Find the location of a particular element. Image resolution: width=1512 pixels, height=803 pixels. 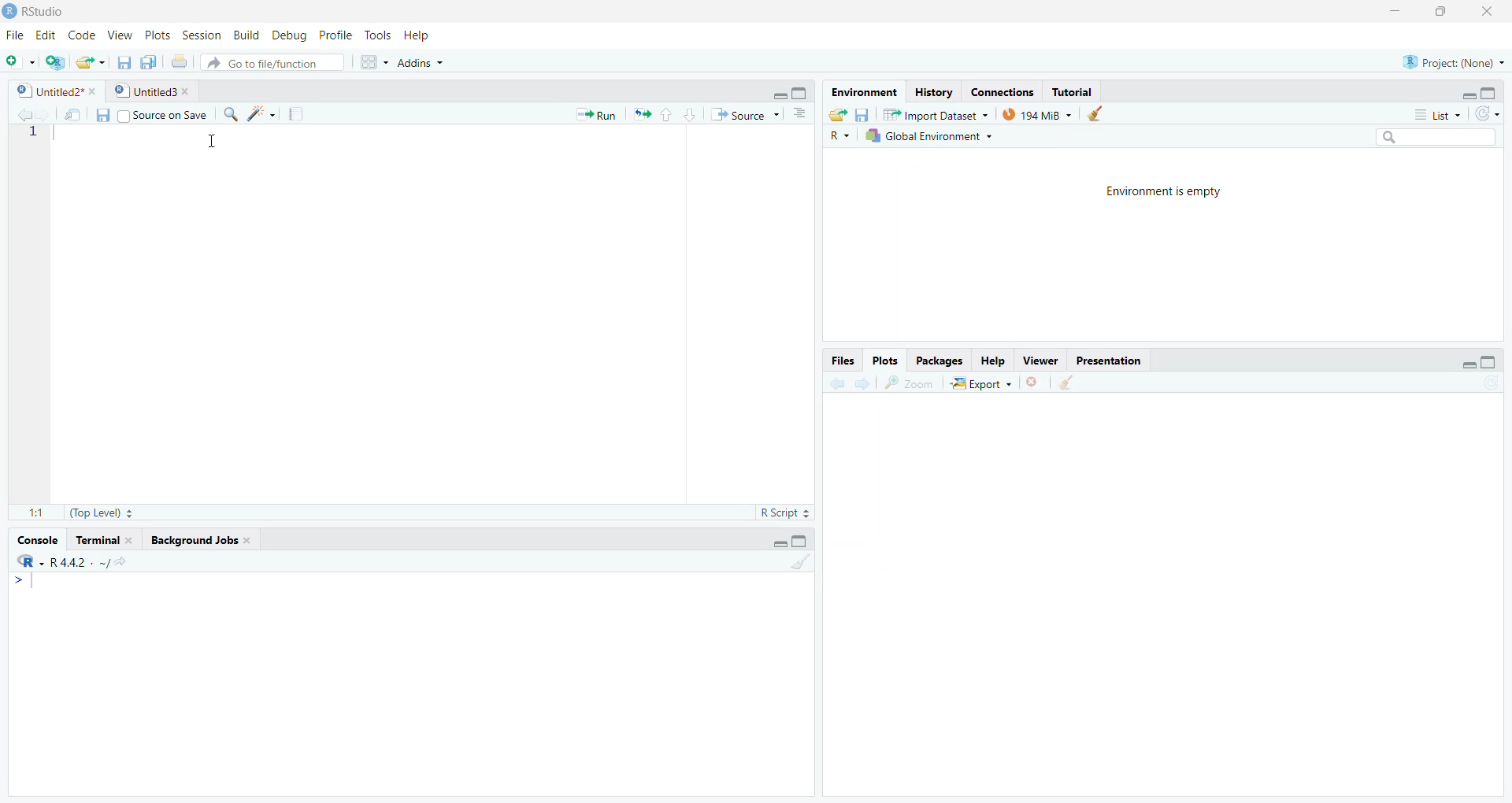

Run is located at coordinates (597, 115).